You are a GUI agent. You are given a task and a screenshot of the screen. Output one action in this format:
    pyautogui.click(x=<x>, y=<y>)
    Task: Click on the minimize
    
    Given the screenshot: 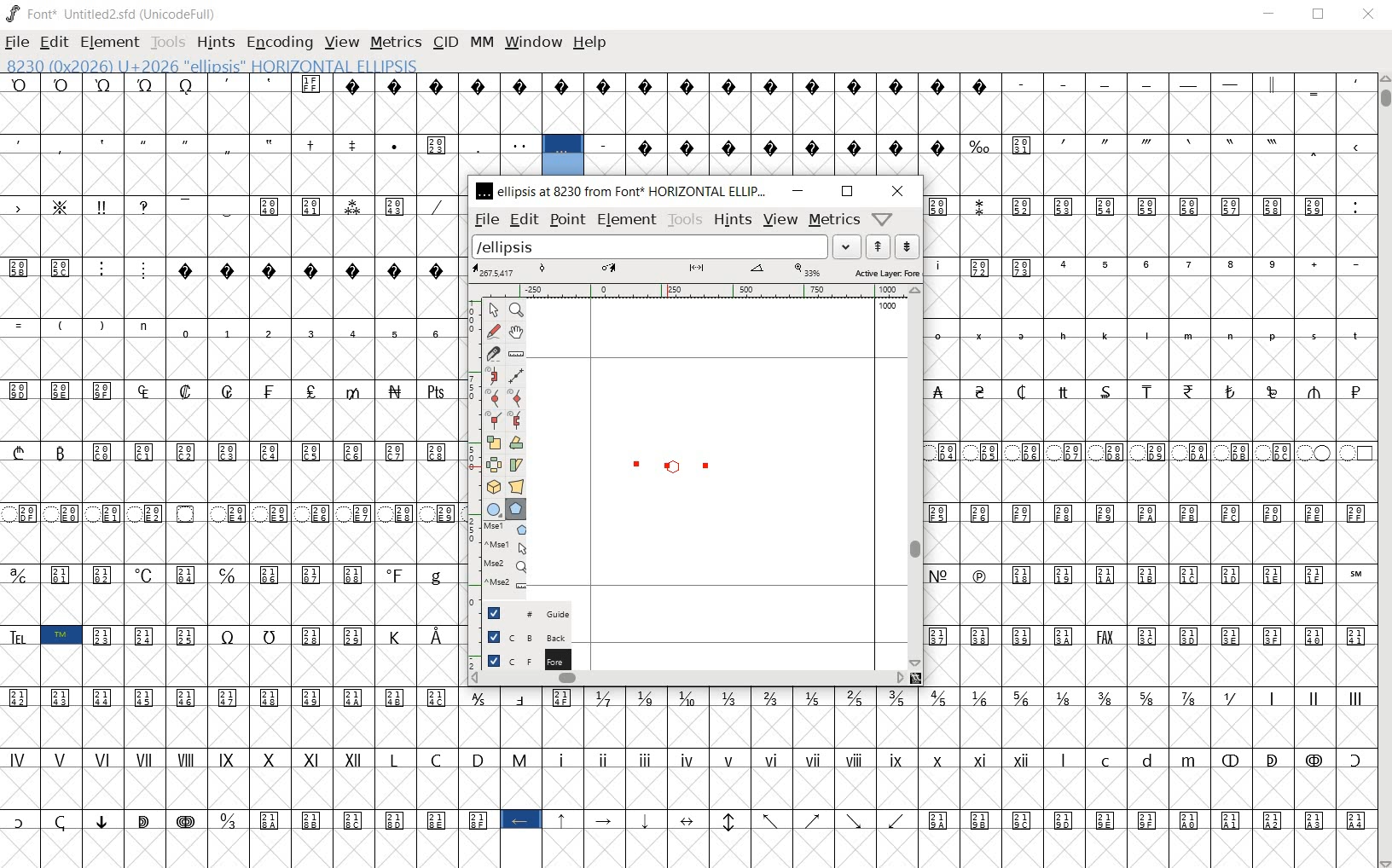 What is the action you would take?
    pyautogui.click(x=797, y=190)
    